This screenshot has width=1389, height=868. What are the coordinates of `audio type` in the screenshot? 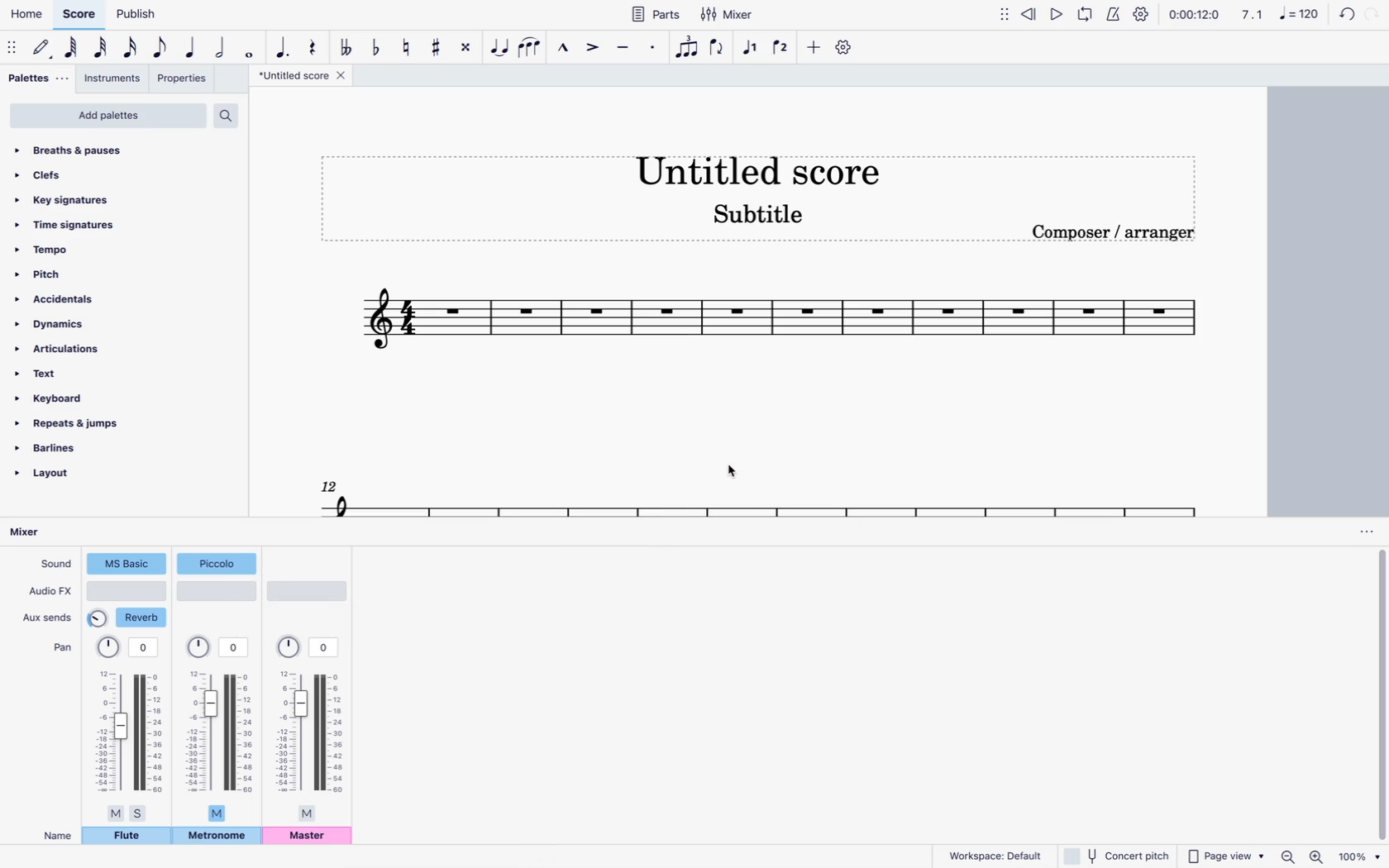 It's located at (306, 593).